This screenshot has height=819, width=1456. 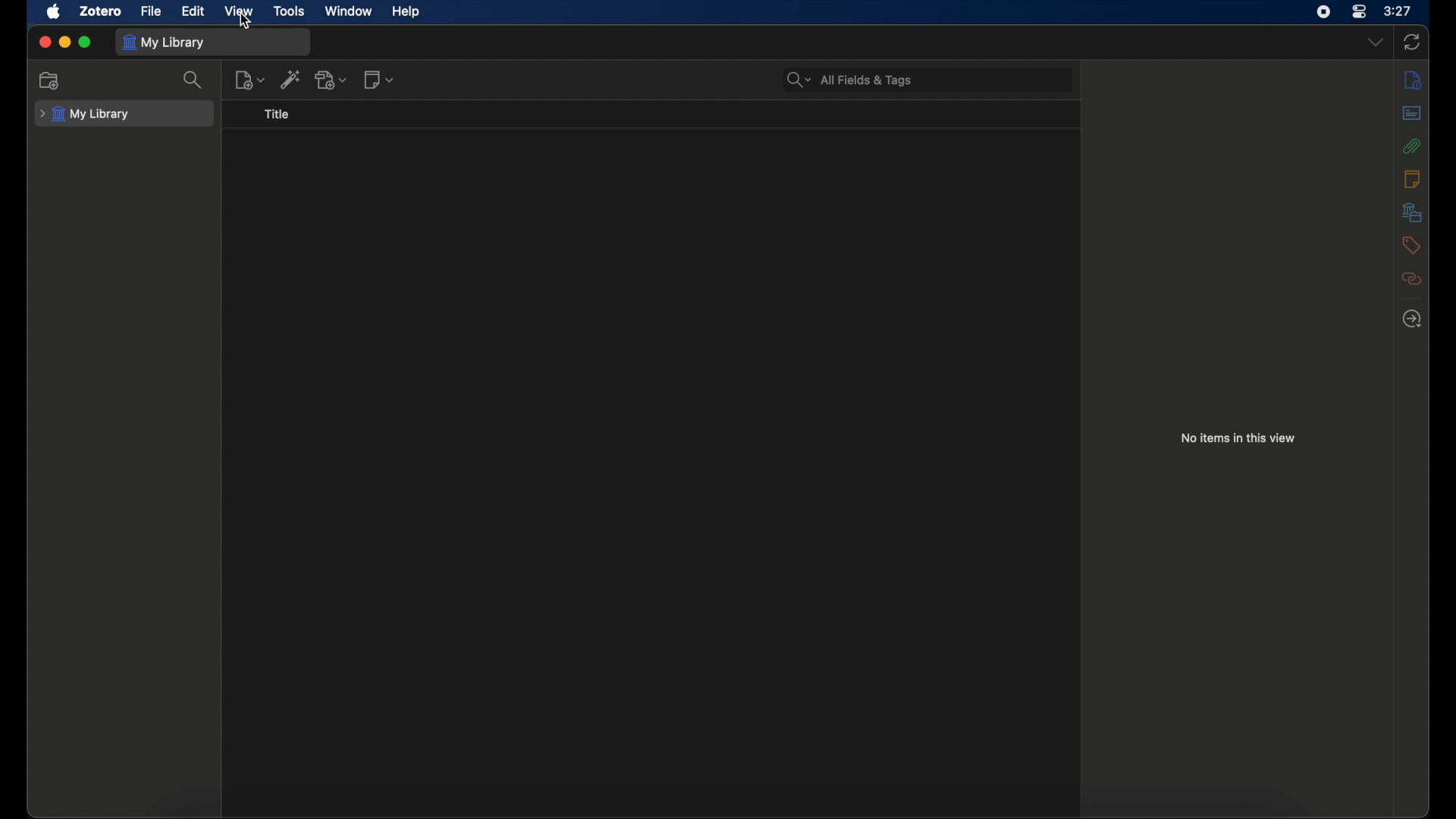 What do you see at coordinates (379, 80) in the screenshot?
I see `new notes` at bounding box center [379, 80].